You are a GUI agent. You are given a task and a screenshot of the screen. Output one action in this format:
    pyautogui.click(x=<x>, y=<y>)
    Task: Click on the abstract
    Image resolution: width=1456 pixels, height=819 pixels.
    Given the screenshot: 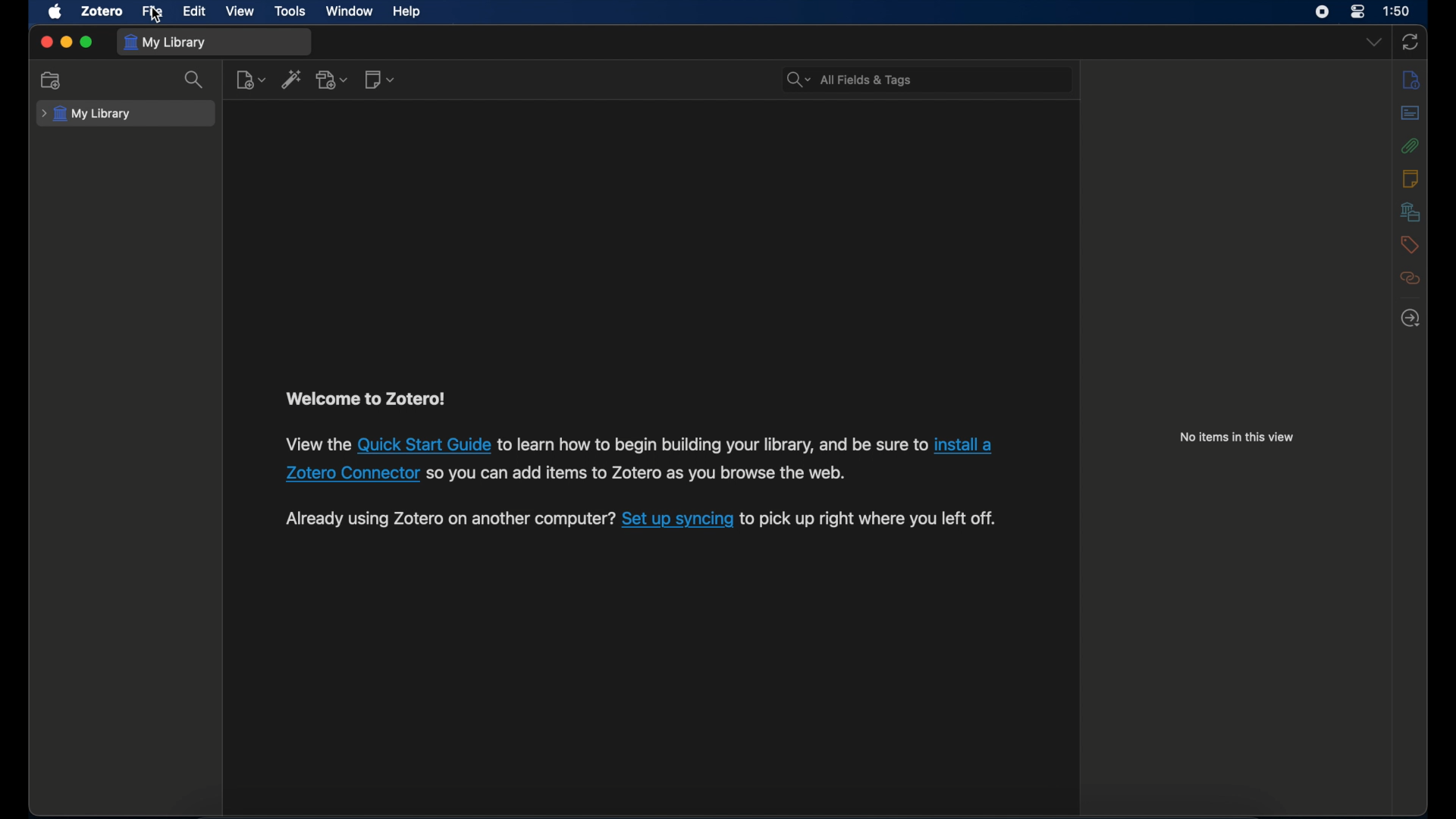 What is the action you would take?
    pyautogui.click(x=1410, y=112)
    